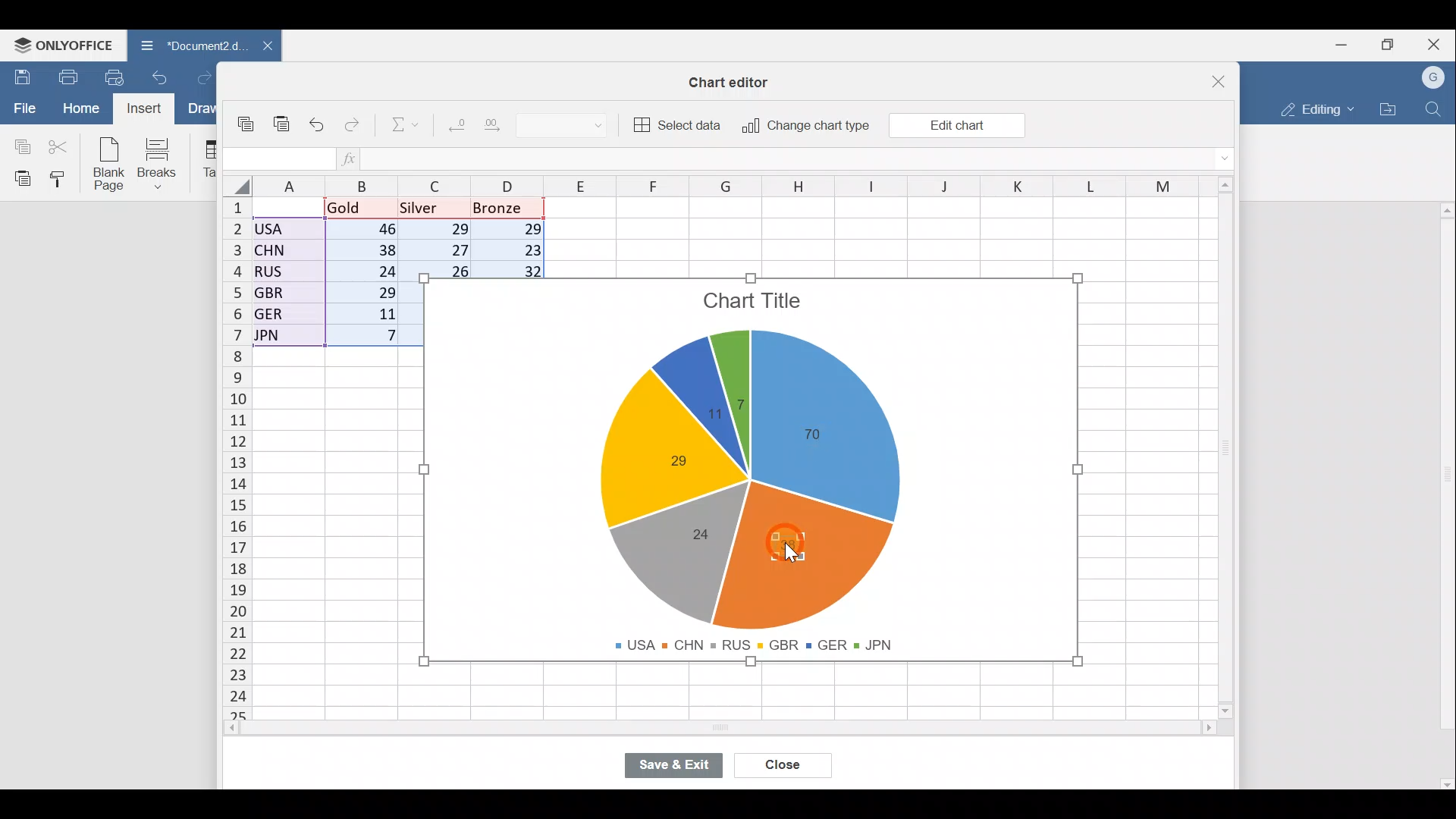  I want to click on Copy, so click(249, 126).